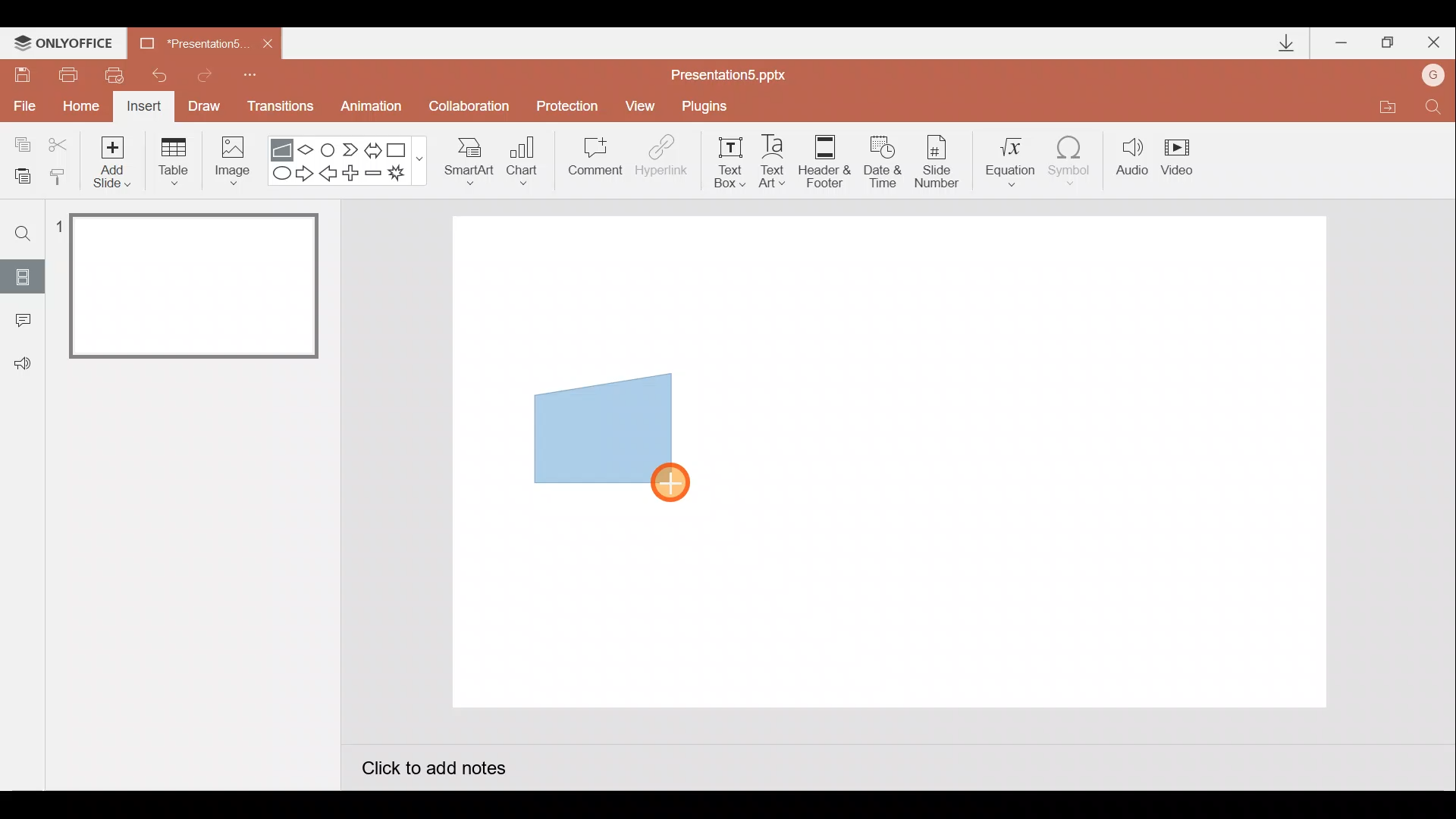 The height and width of the screenshot is (819, 1456). What do you see at coordinates (278, 108) in the screenshot?
I see `Transitions` at bounding box center [278, 108].